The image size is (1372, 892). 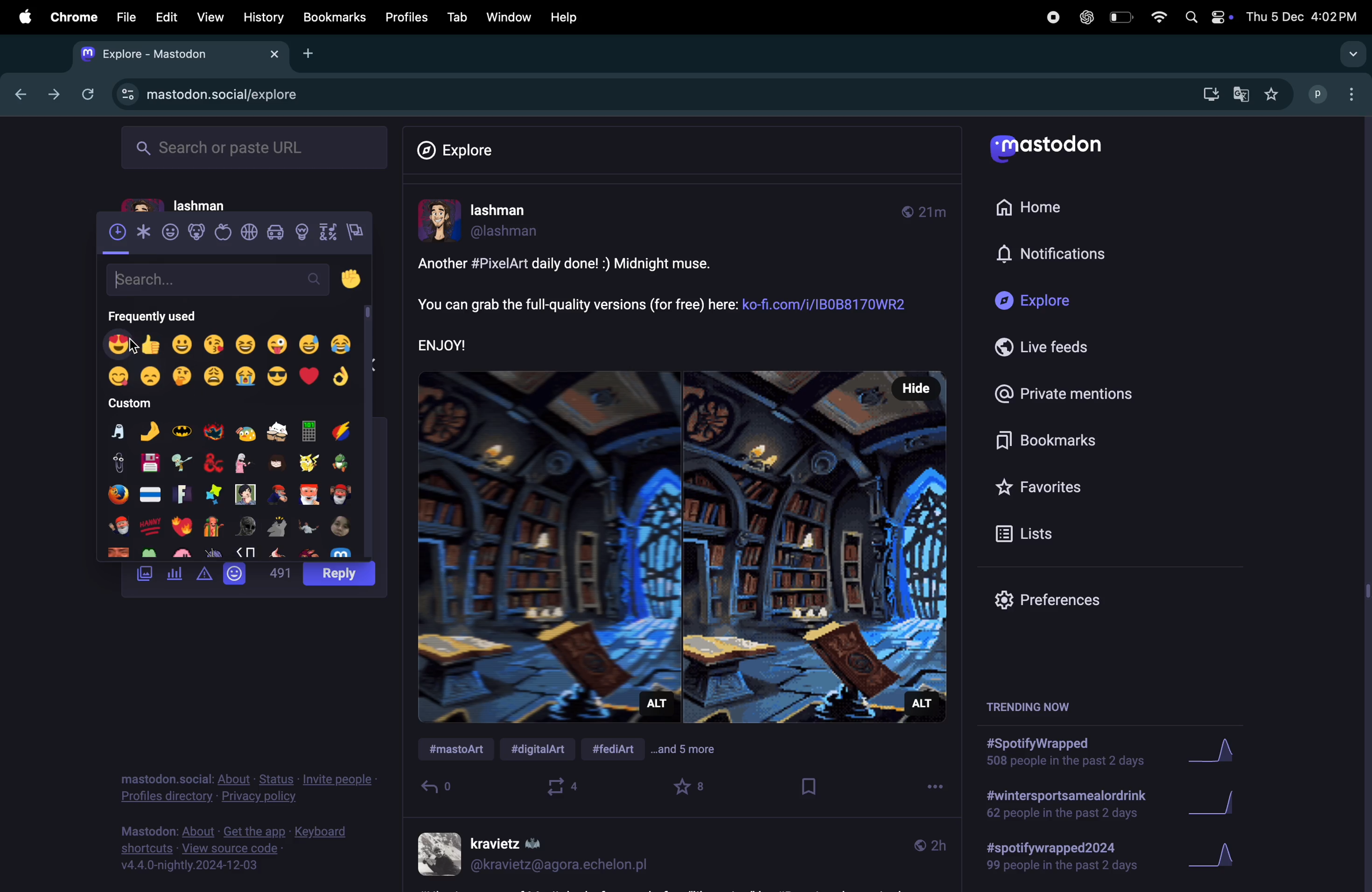 I want to click on graph, so click(x=1220, y=859).